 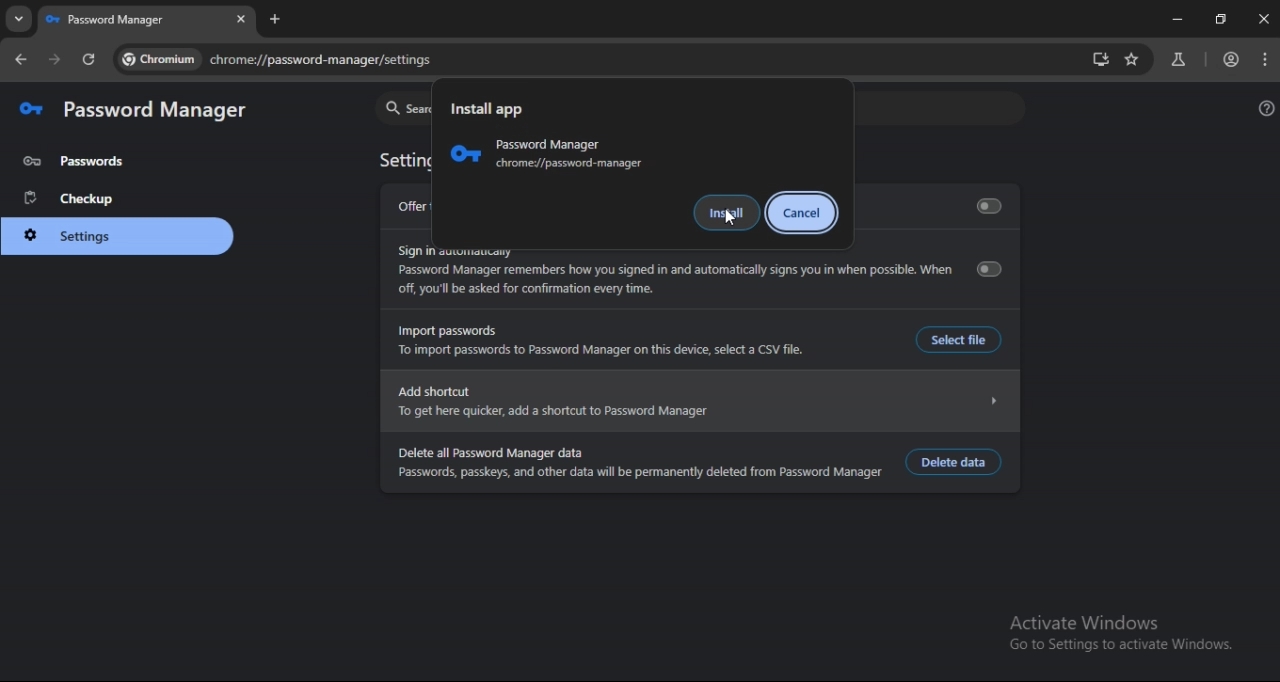 I want to click on account, so click(x=1233, y=59).